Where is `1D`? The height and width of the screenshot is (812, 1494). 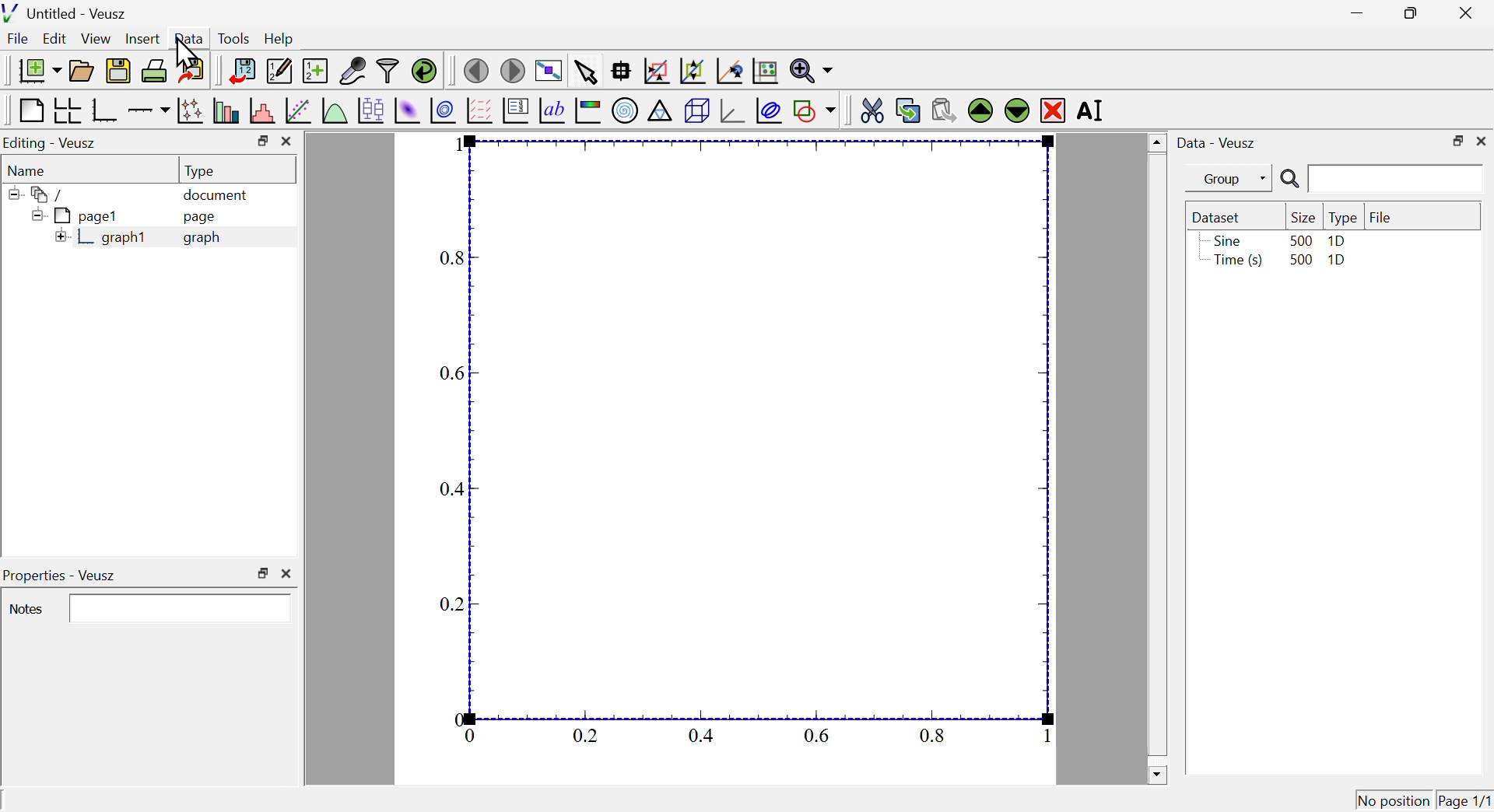 1D is located at coordinates (1338, 262).